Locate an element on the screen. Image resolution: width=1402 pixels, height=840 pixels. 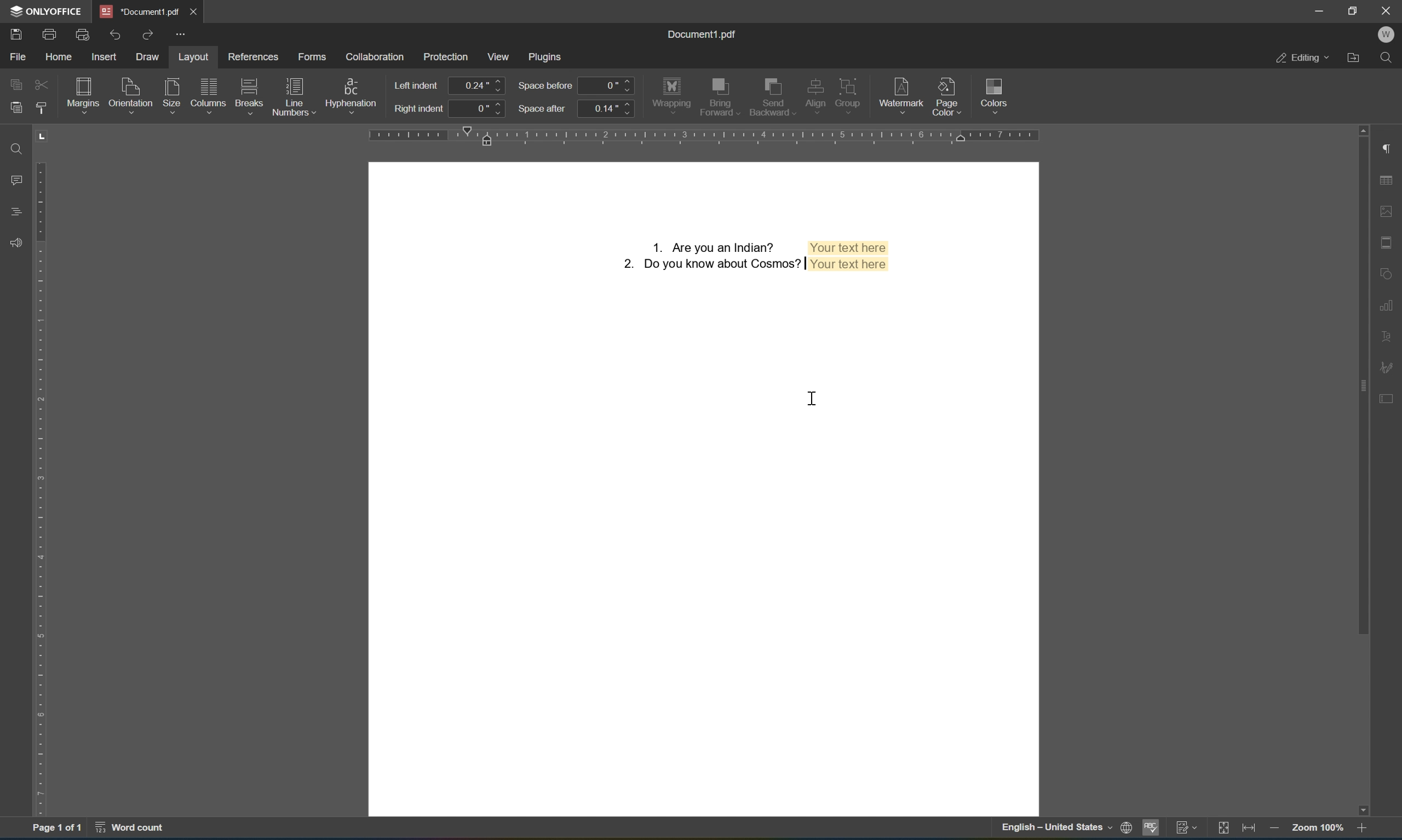
fit to width is located at coordinates (1249, 830).